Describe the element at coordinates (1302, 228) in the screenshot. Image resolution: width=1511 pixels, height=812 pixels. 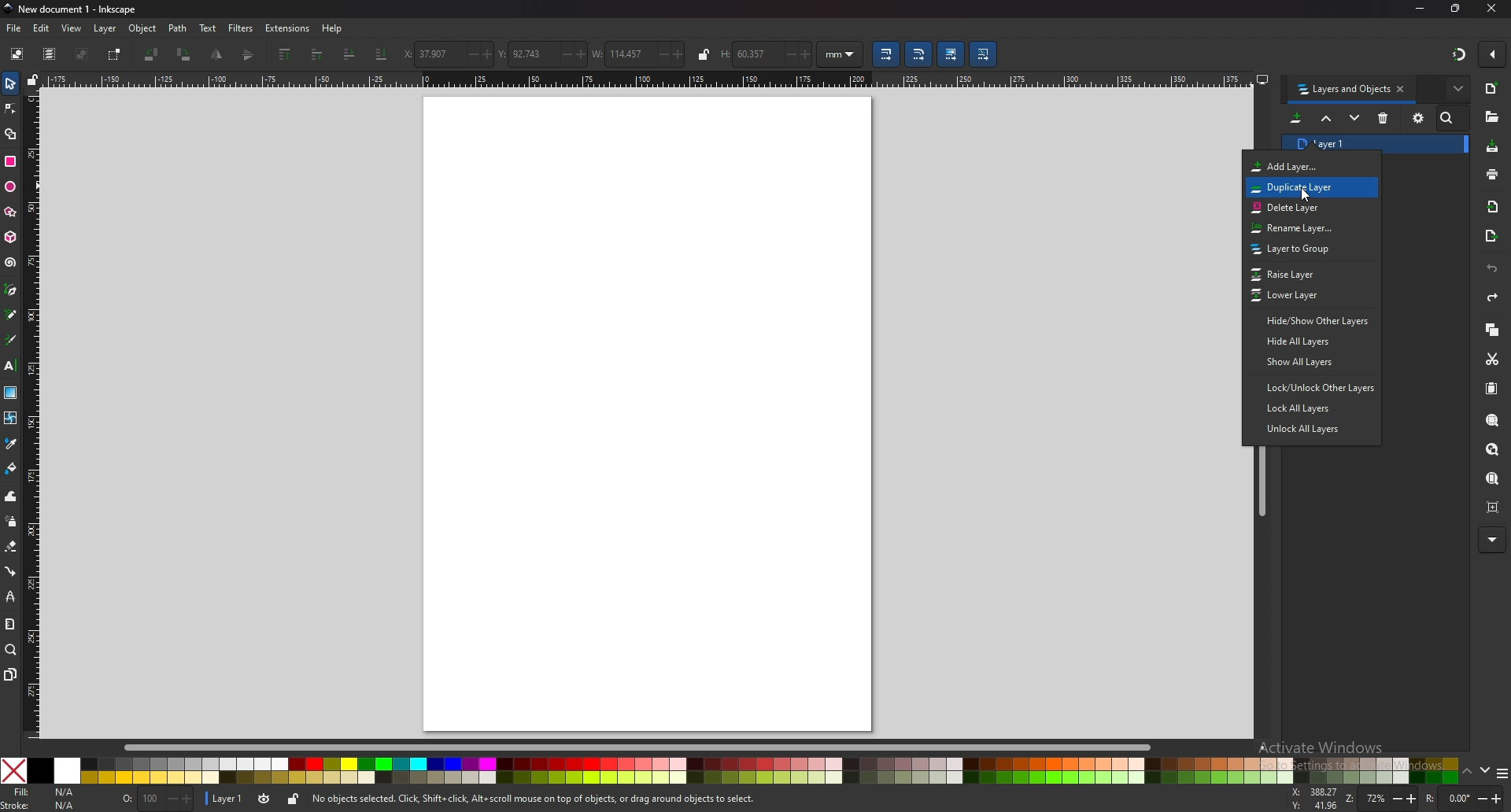
I see `rename layer` at that location.